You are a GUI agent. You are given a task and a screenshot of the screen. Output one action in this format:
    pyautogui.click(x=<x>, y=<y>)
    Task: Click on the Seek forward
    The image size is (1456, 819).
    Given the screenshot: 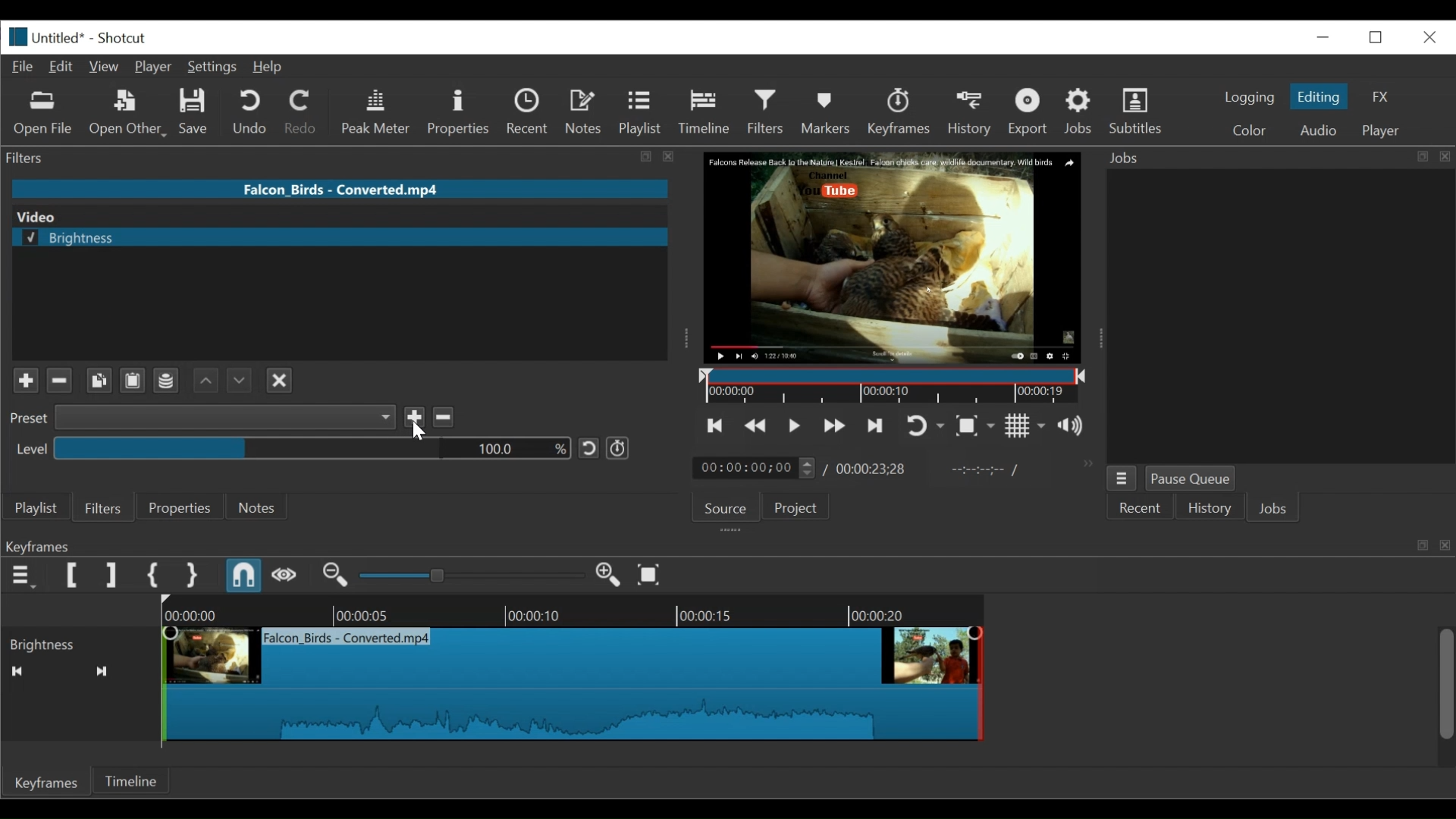 What is the action you would take?
    pyautogui.click(x=102, y=671)
    